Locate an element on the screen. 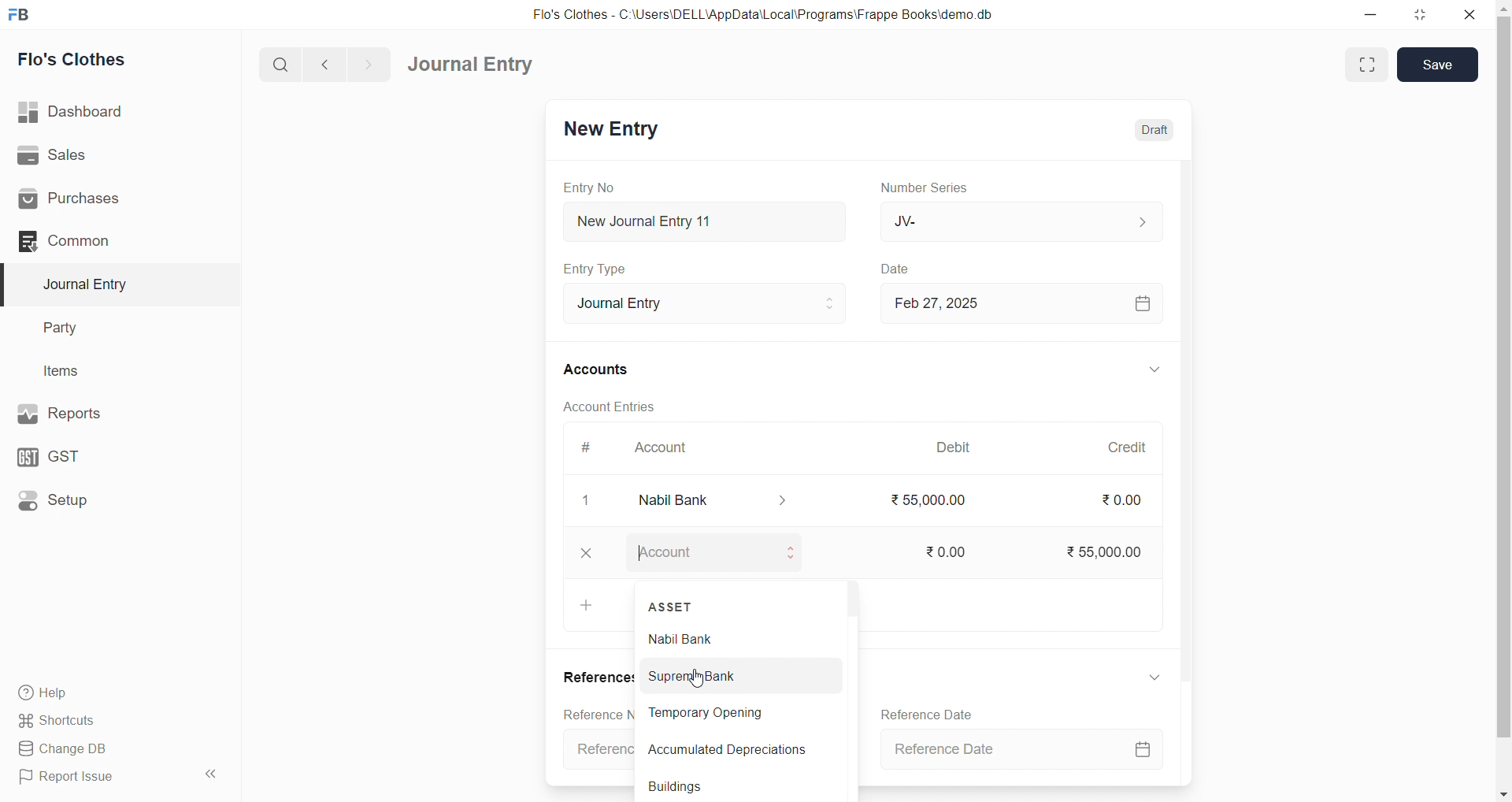 The image size is (1512, 802). Party is located at coordinates (70, 326).